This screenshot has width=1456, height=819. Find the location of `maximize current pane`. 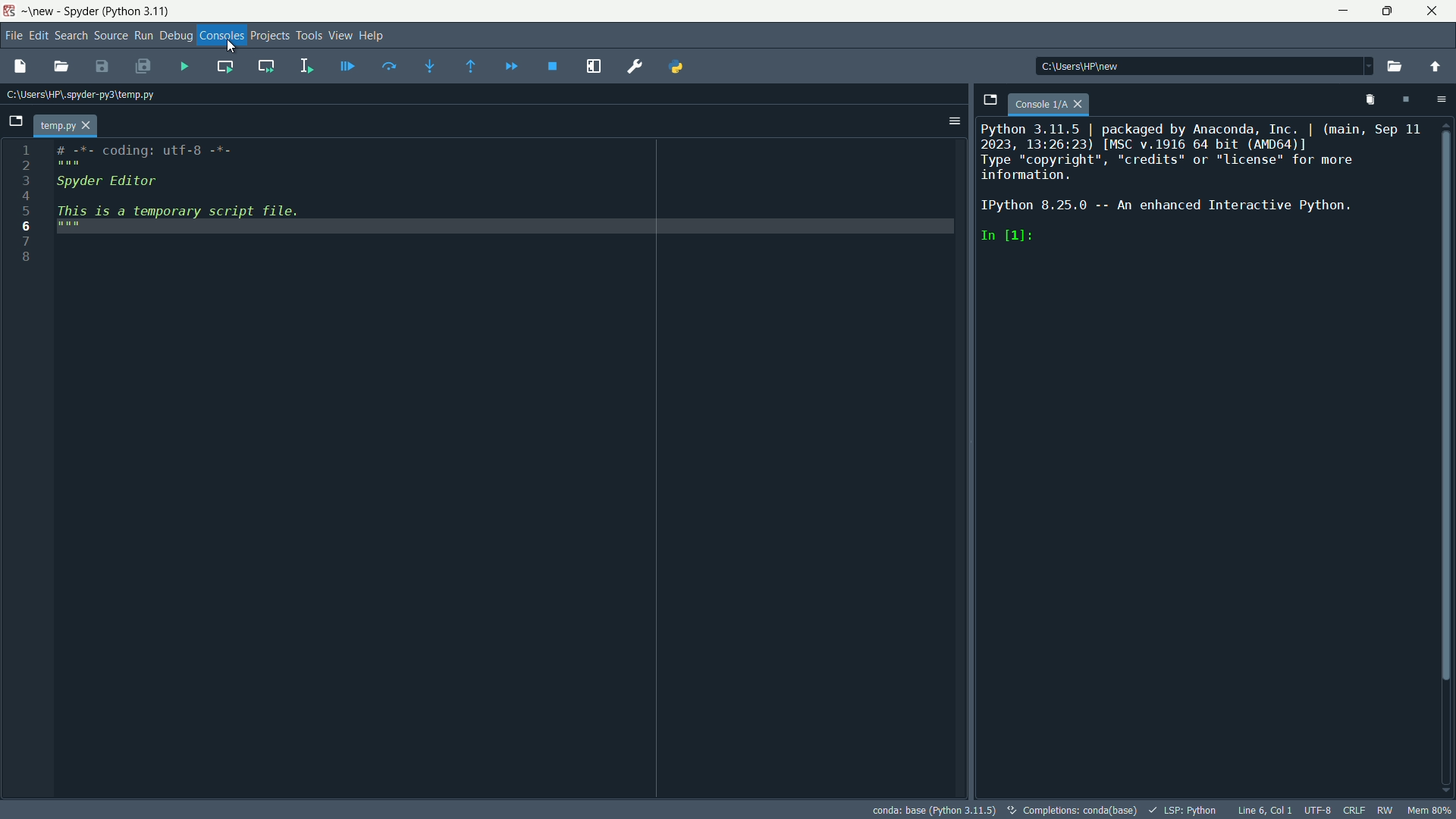

maximize current pane is located at coordinates (593, 66).